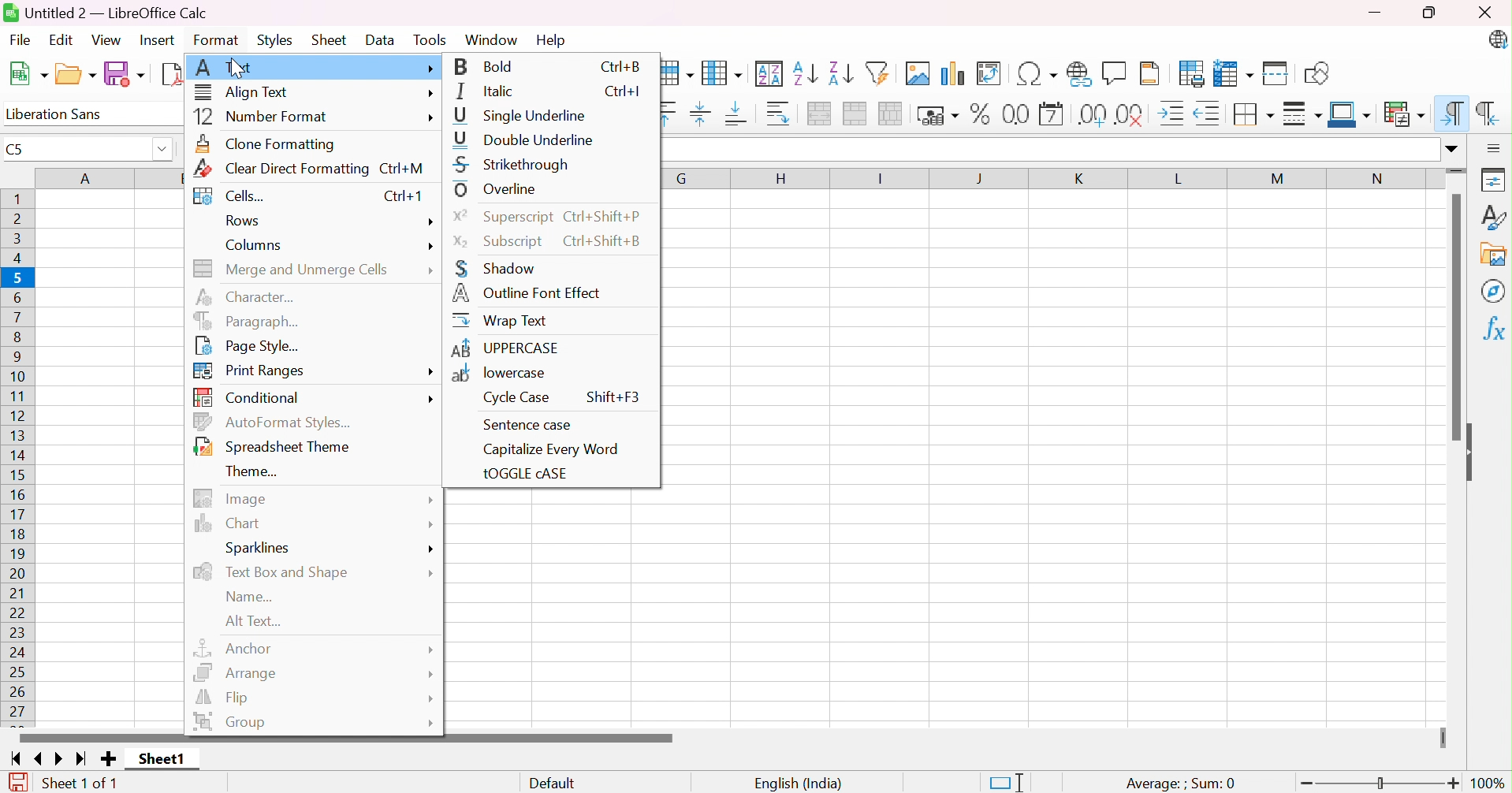 The width and height of the screenshot is (1512, 793). What do you see at coordinates (807, 73) in the screenshot?
I see `Sort Ascending` at bounding box center [807, 73].